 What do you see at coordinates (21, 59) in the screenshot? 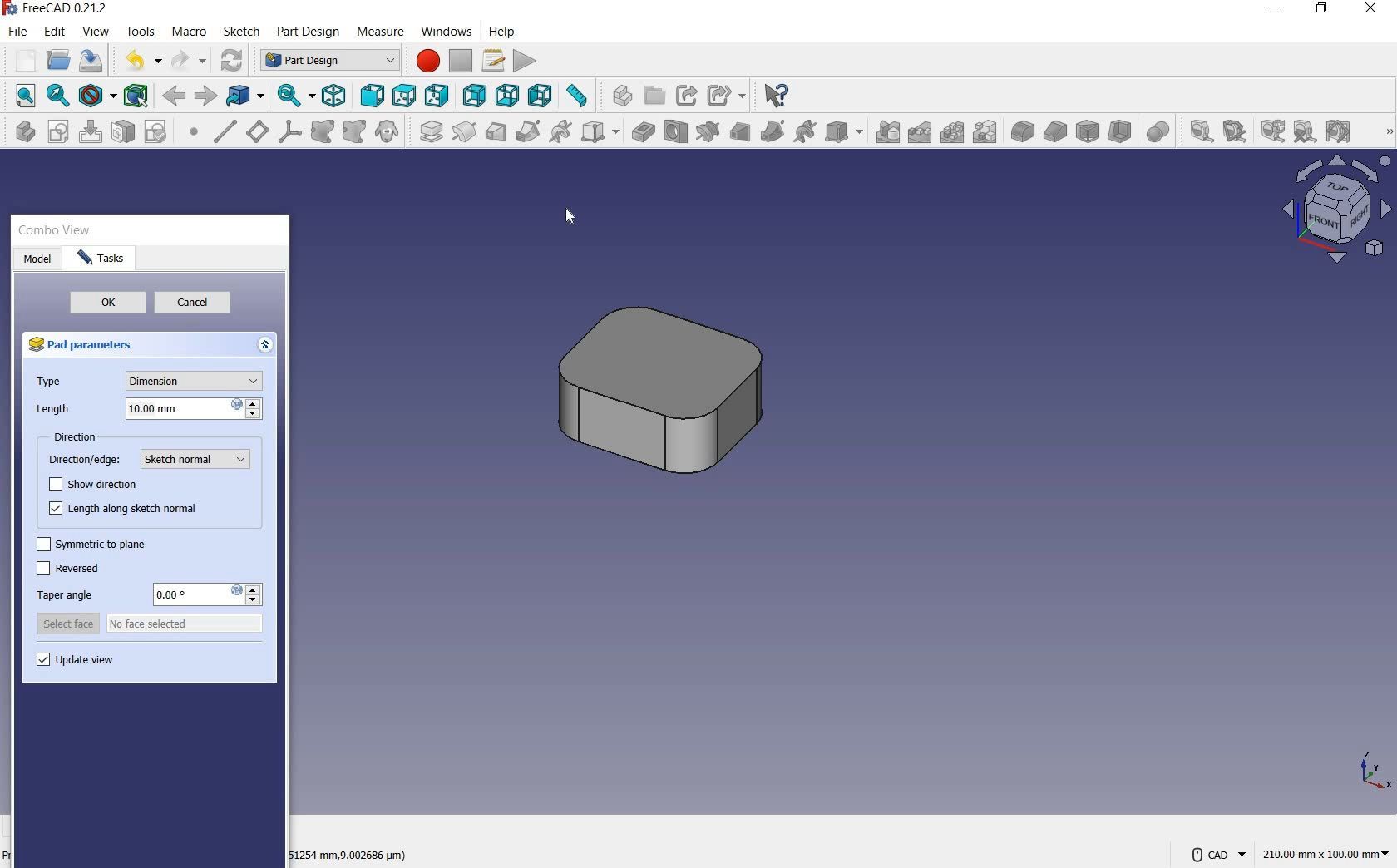
I see `new` at bounding box center [21, 59].